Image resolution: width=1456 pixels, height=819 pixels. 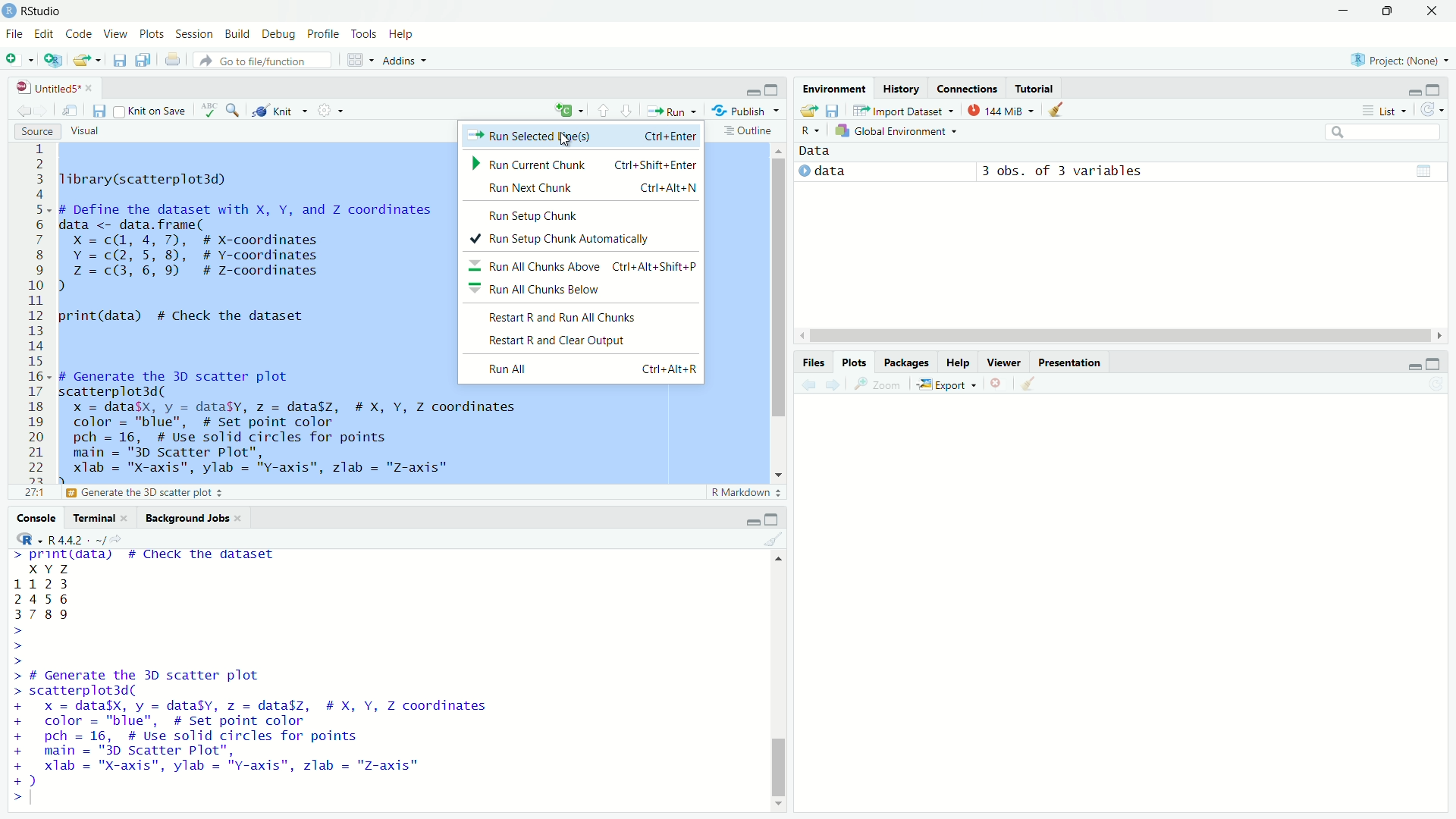 What do you see at coordinates (753, 521) in the screenshot?
I see `minimize` at bounding box center [753, 521].